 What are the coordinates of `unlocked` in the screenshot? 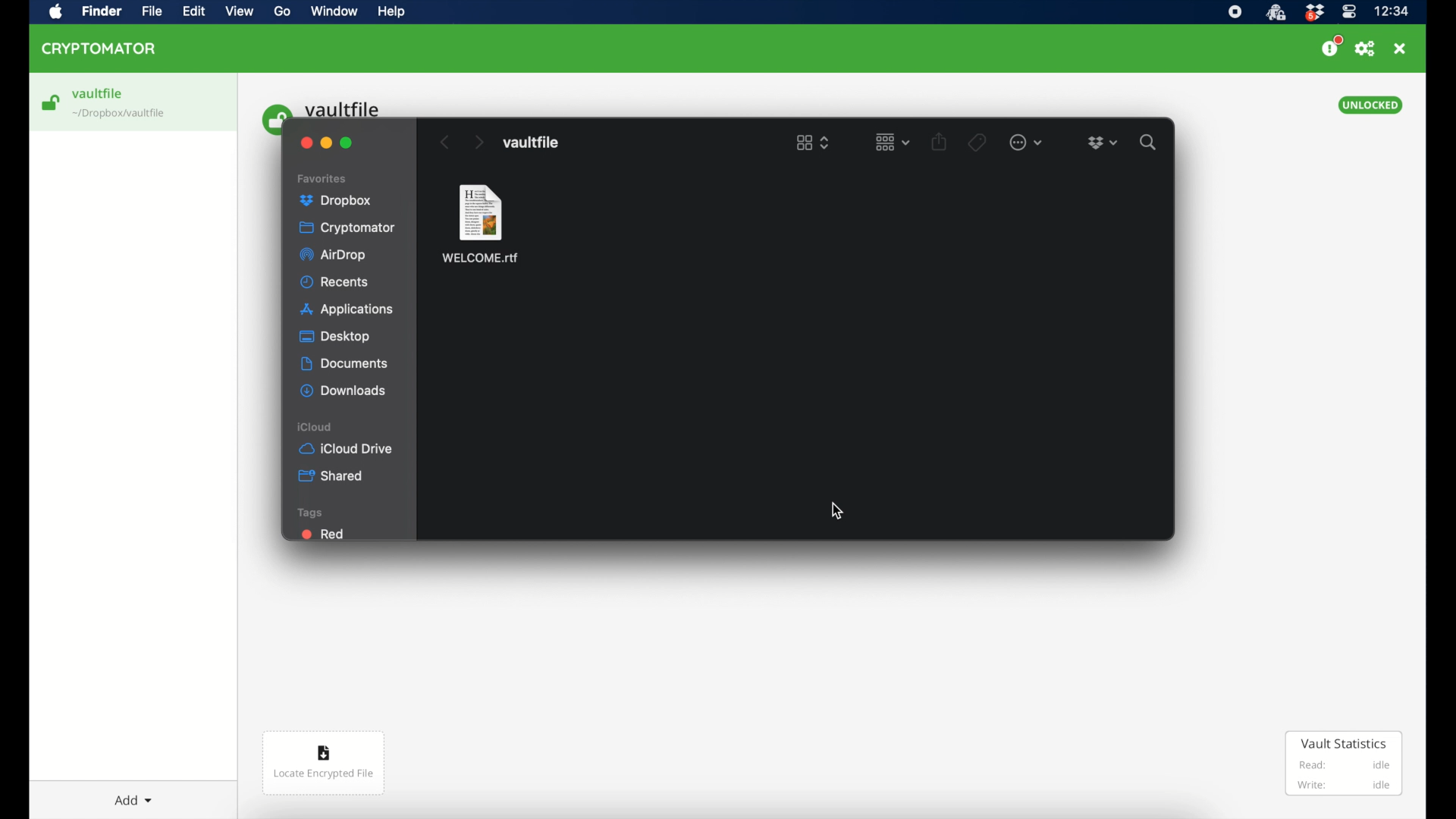 It's located at (1373, 105).